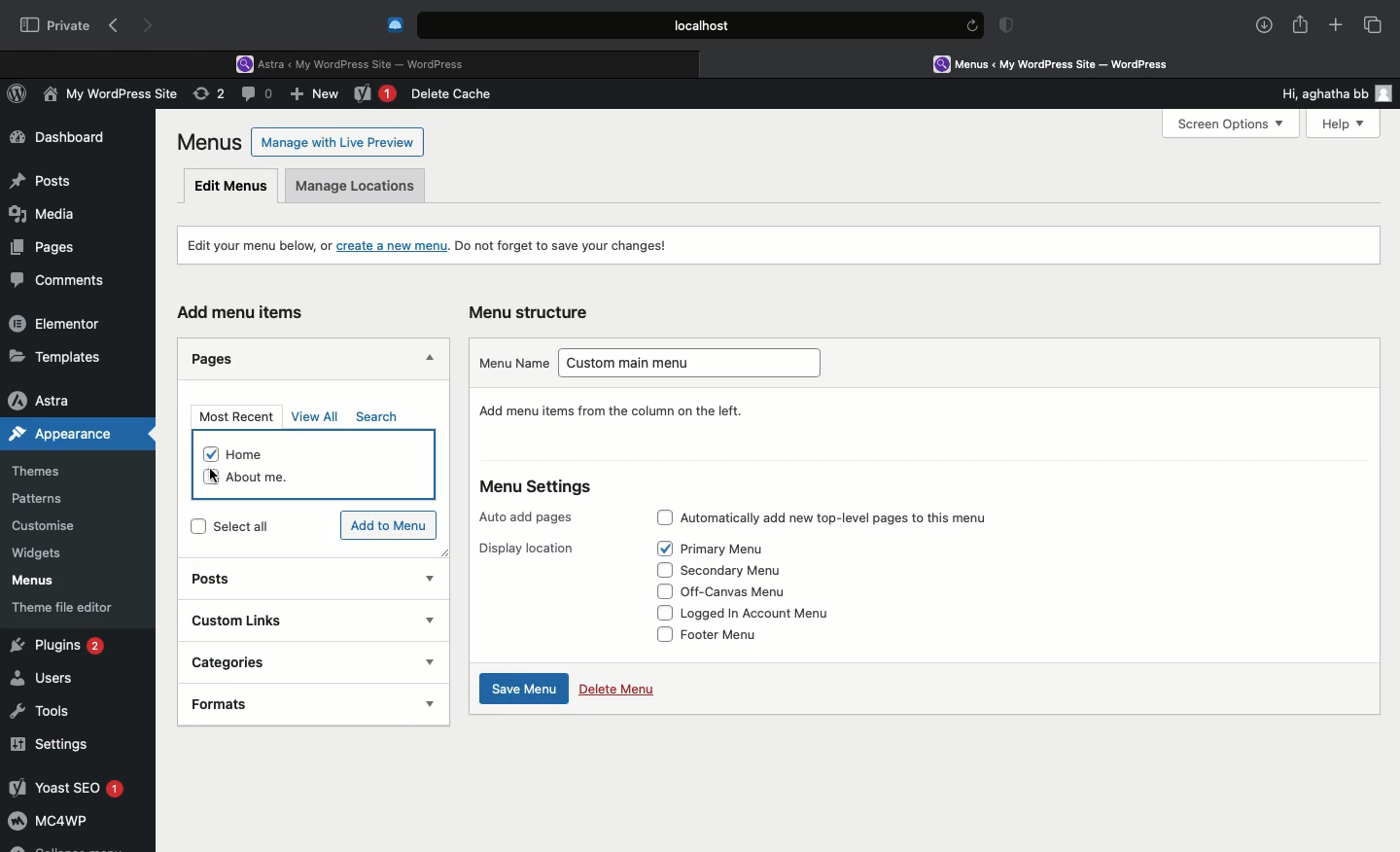 The image size is (1400, 852). What do you see at coordinates (45, 211) in the screenshot?
I see `Media` at bounding box center [45, 211].